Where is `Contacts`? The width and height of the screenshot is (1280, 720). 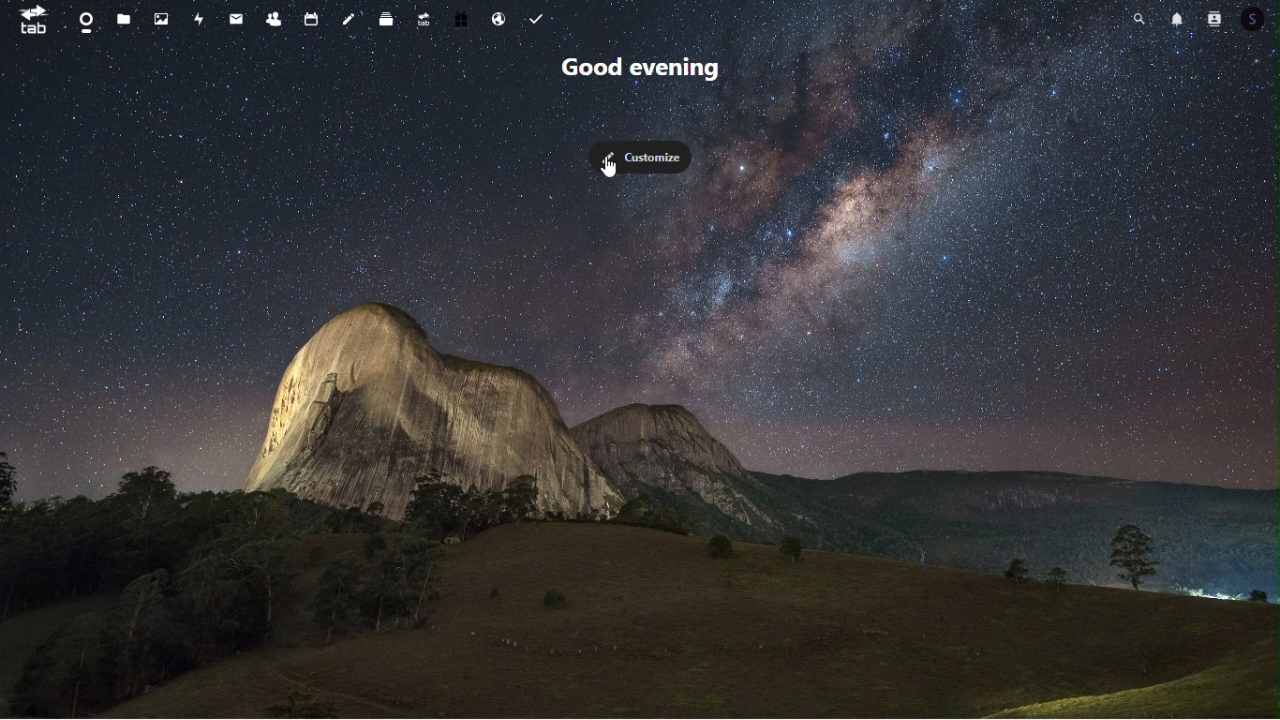 Contacts is located at coordinates (274, 19).